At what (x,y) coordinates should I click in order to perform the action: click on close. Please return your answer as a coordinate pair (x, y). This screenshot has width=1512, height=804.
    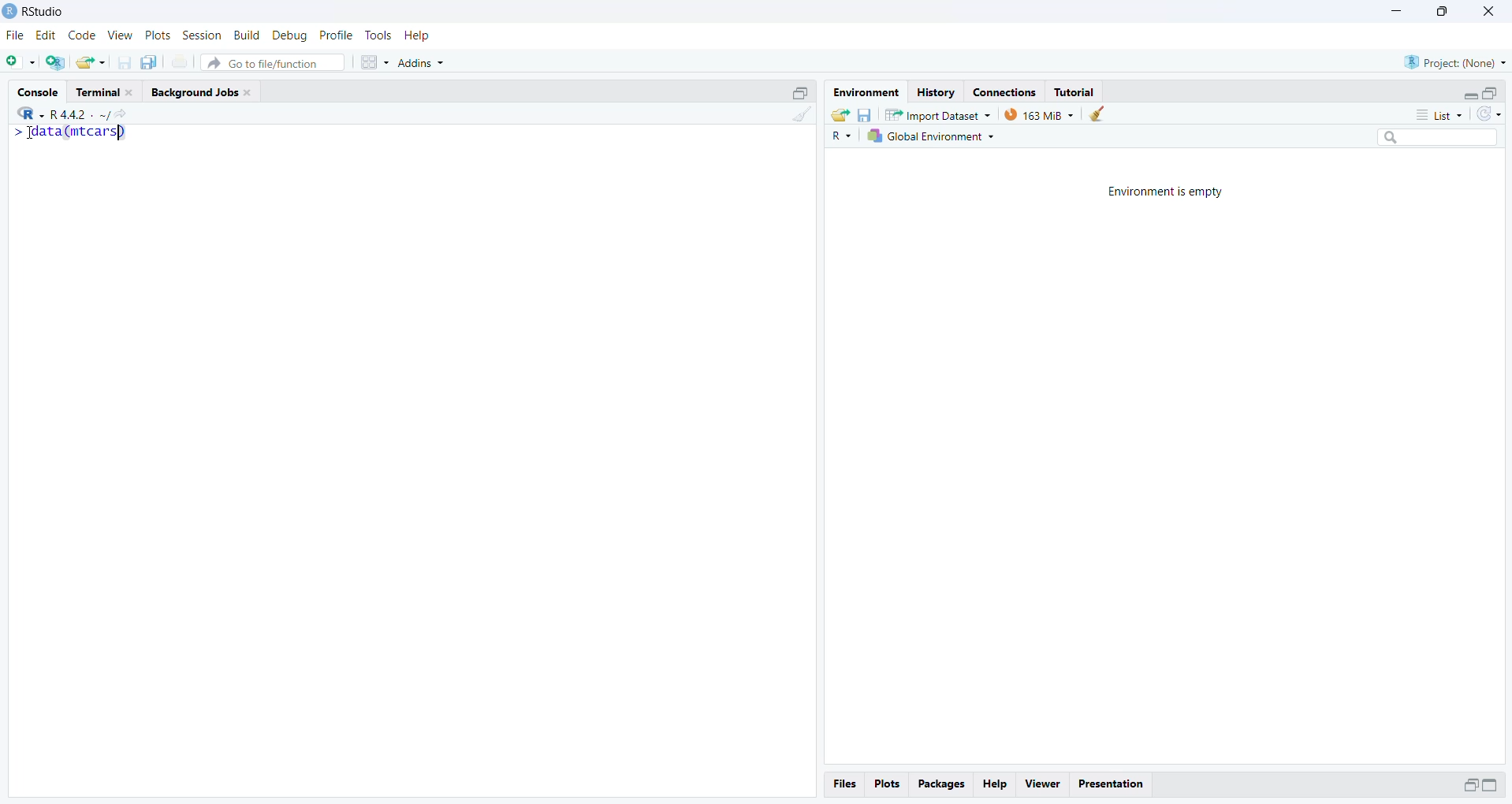
    Looking at the image, I should click on (1490, 9).